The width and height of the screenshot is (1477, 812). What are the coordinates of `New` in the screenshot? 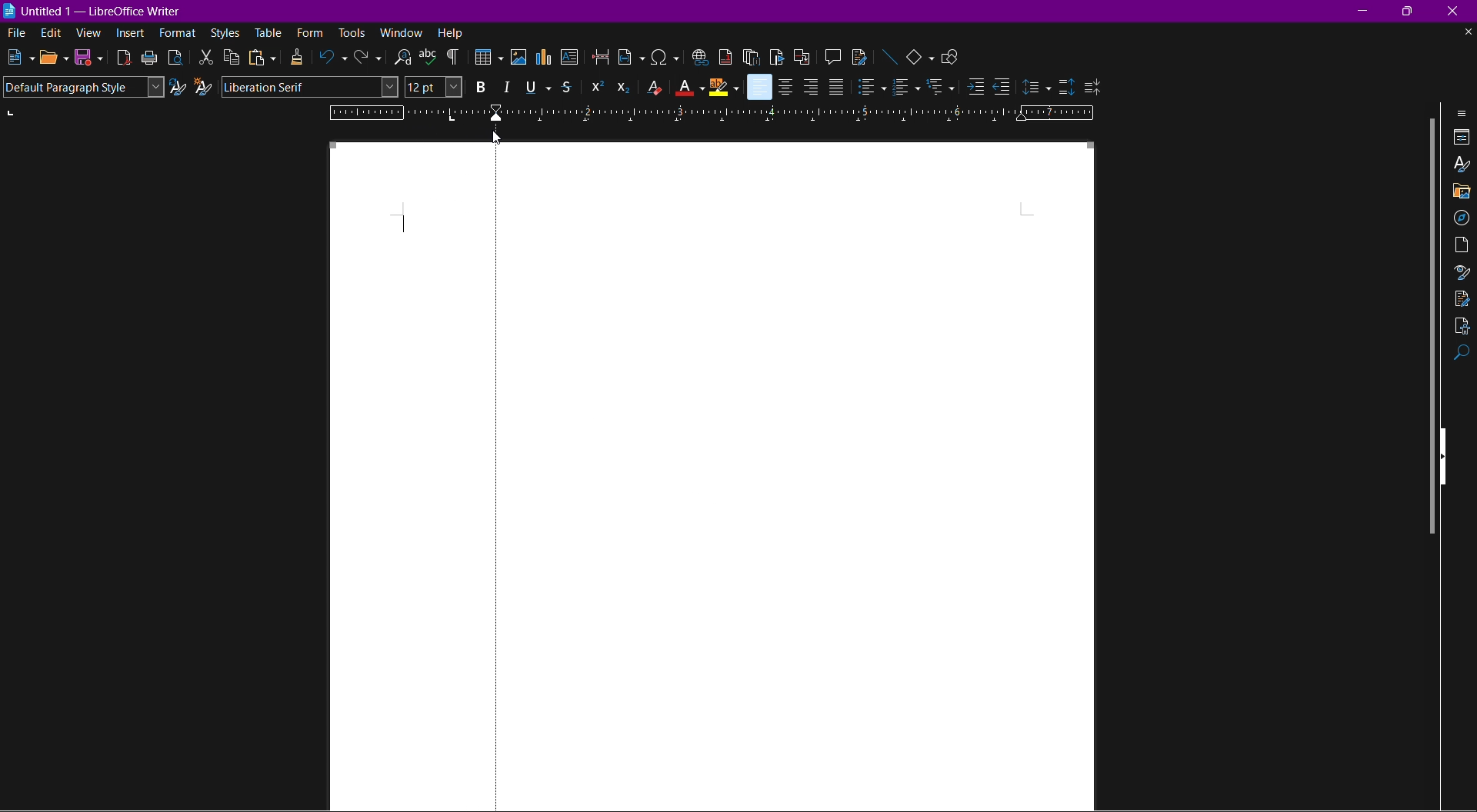 It's located at (18, 58).